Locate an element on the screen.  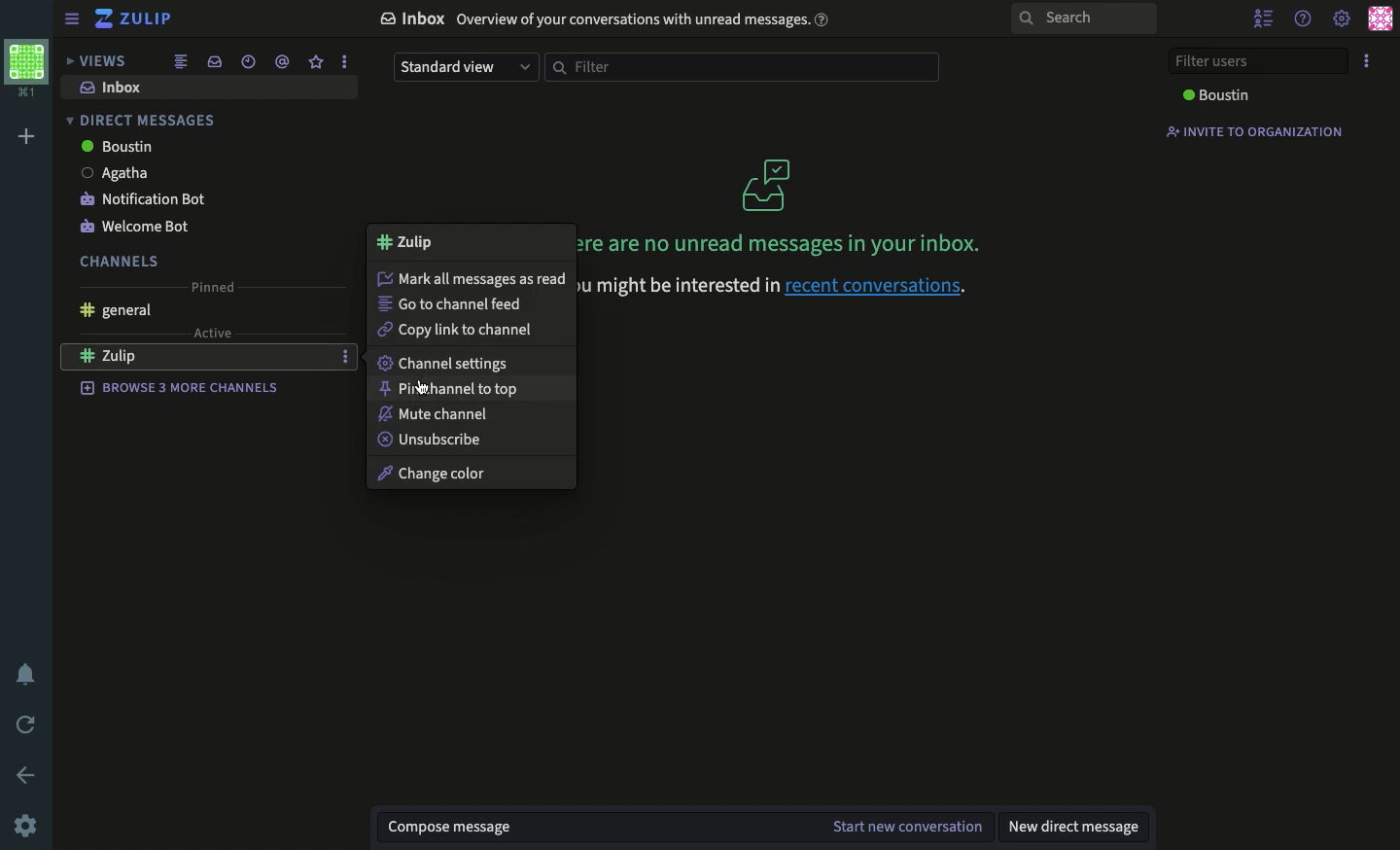
filter users is located at coordinates (1260, 59).